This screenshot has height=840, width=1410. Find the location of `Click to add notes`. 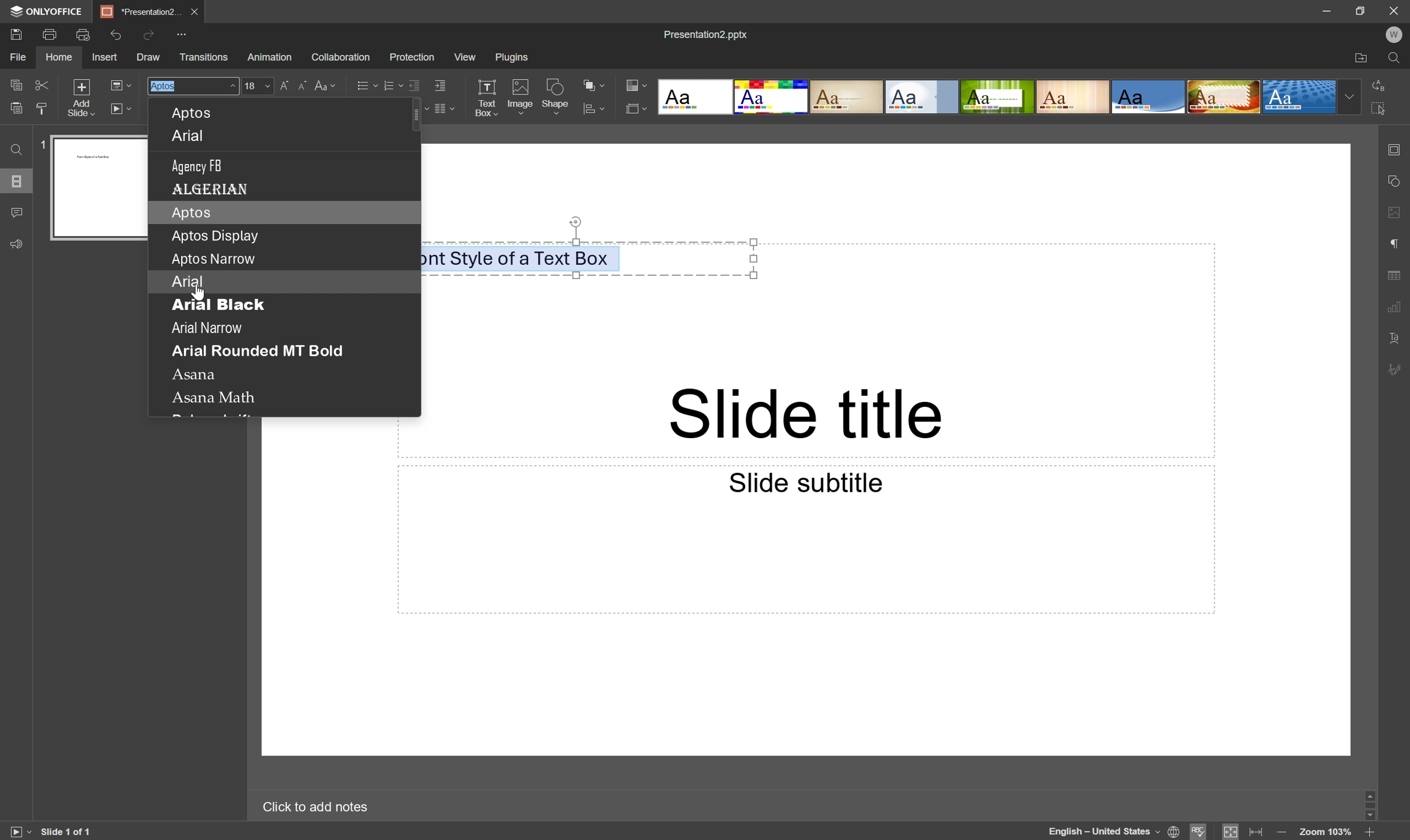

Click to add notes is located at coordinates (317, 806).